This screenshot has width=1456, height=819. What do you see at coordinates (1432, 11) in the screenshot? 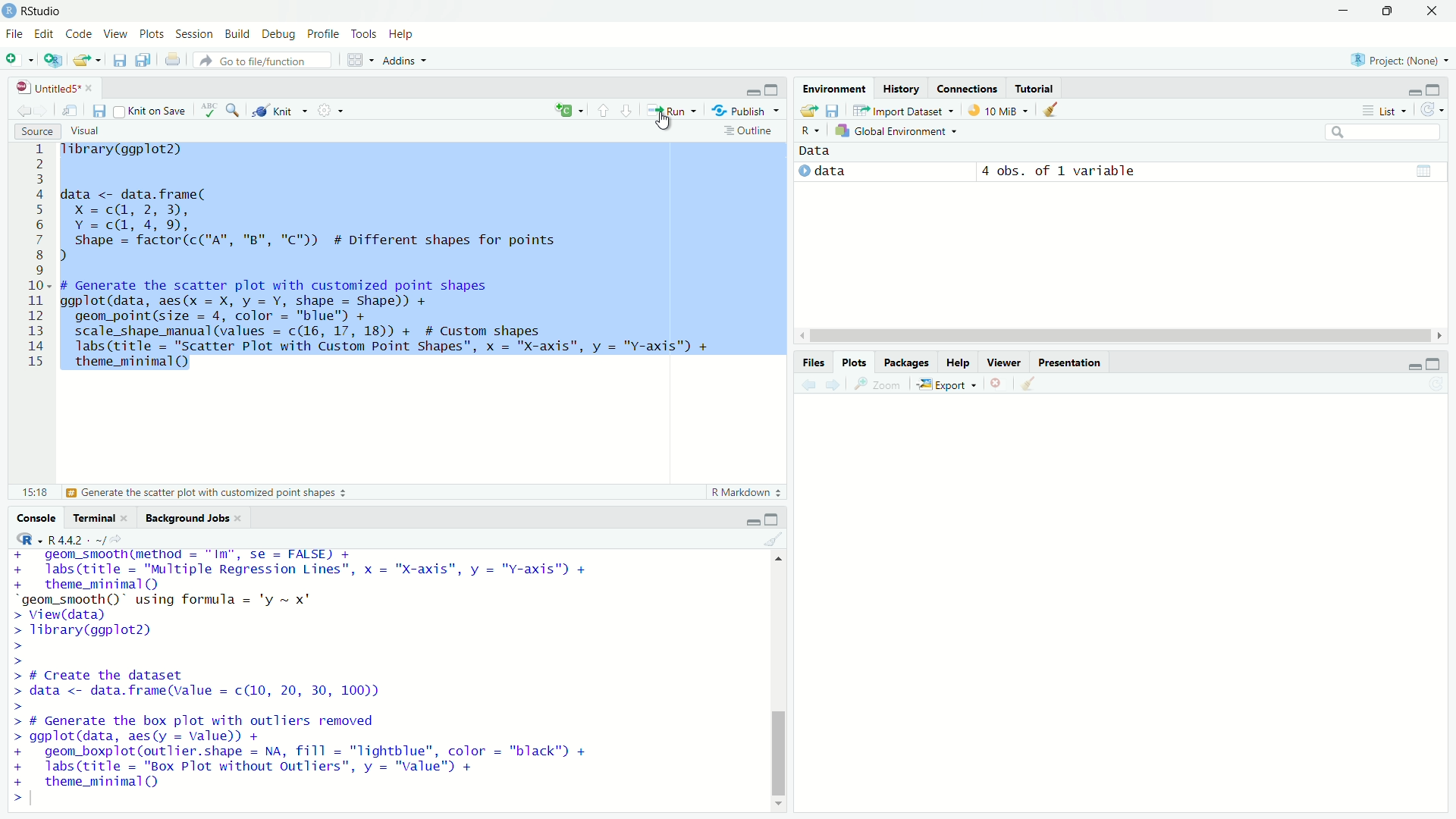
I see `close` at bounding box center [1432, 11].